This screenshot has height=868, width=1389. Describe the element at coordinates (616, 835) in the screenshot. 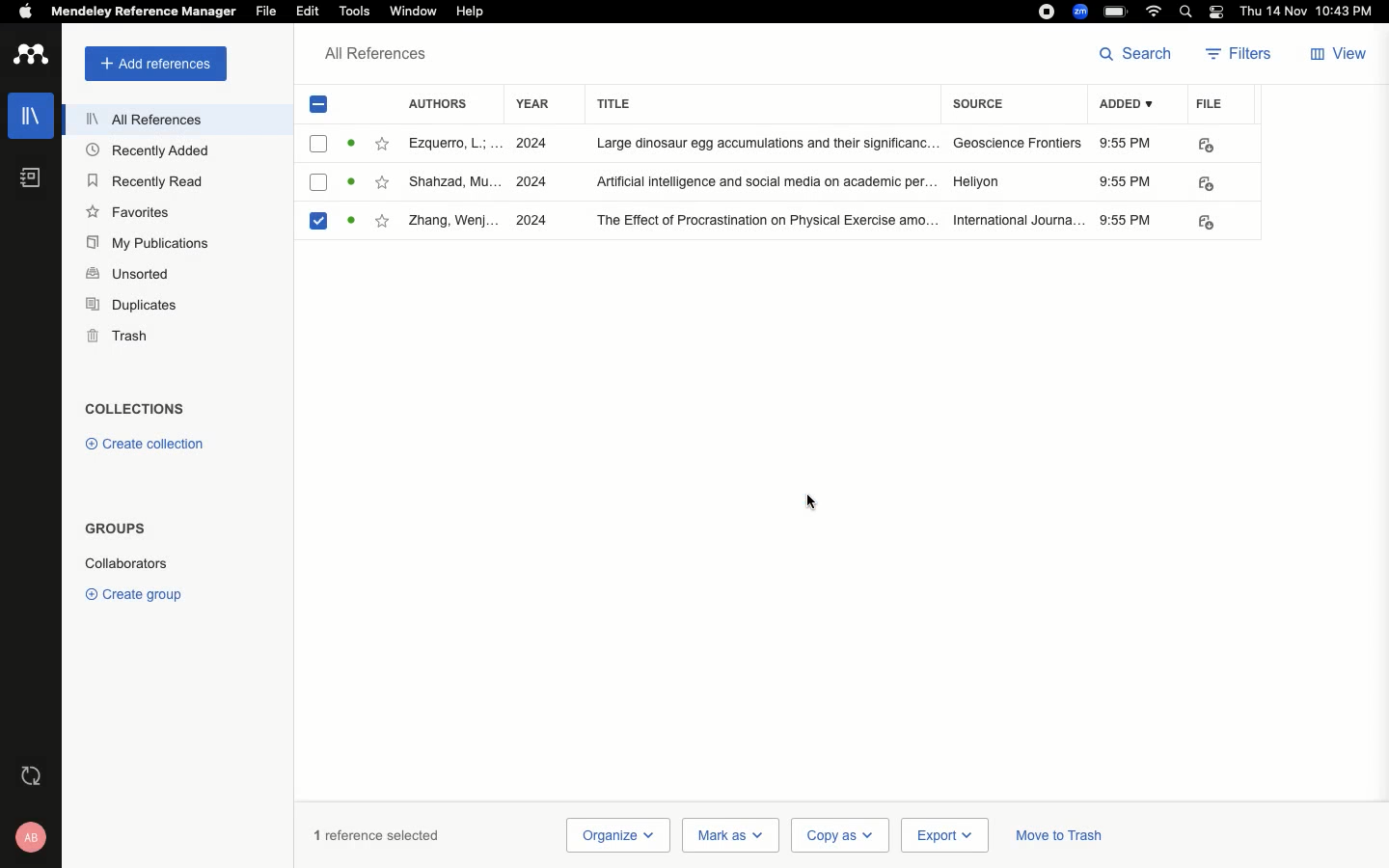

I see `Organize` at that location.